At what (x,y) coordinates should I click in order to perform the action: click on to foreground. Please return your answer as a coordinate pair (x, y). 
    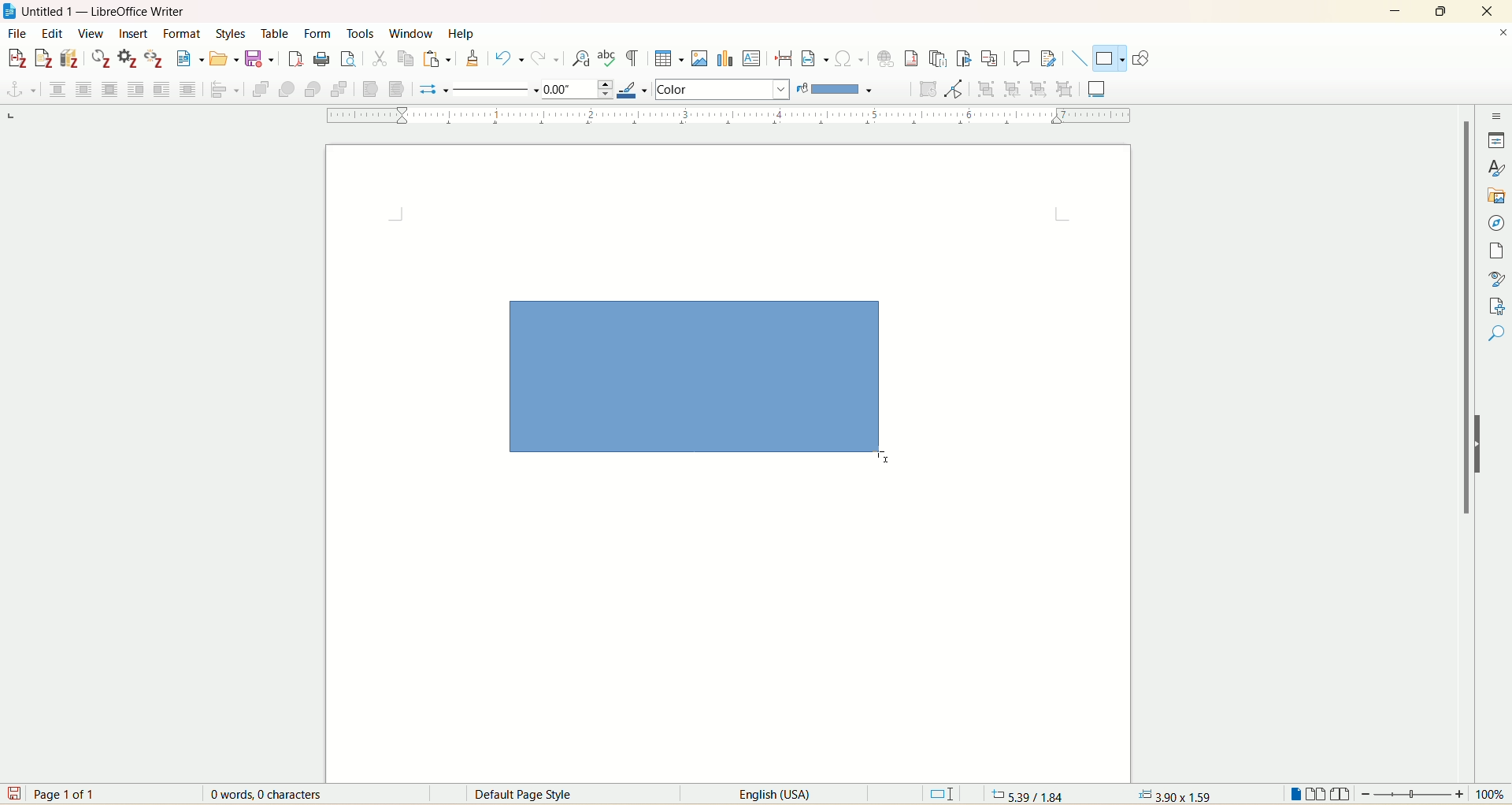
    Looking at the image, I should click on (373, 88).